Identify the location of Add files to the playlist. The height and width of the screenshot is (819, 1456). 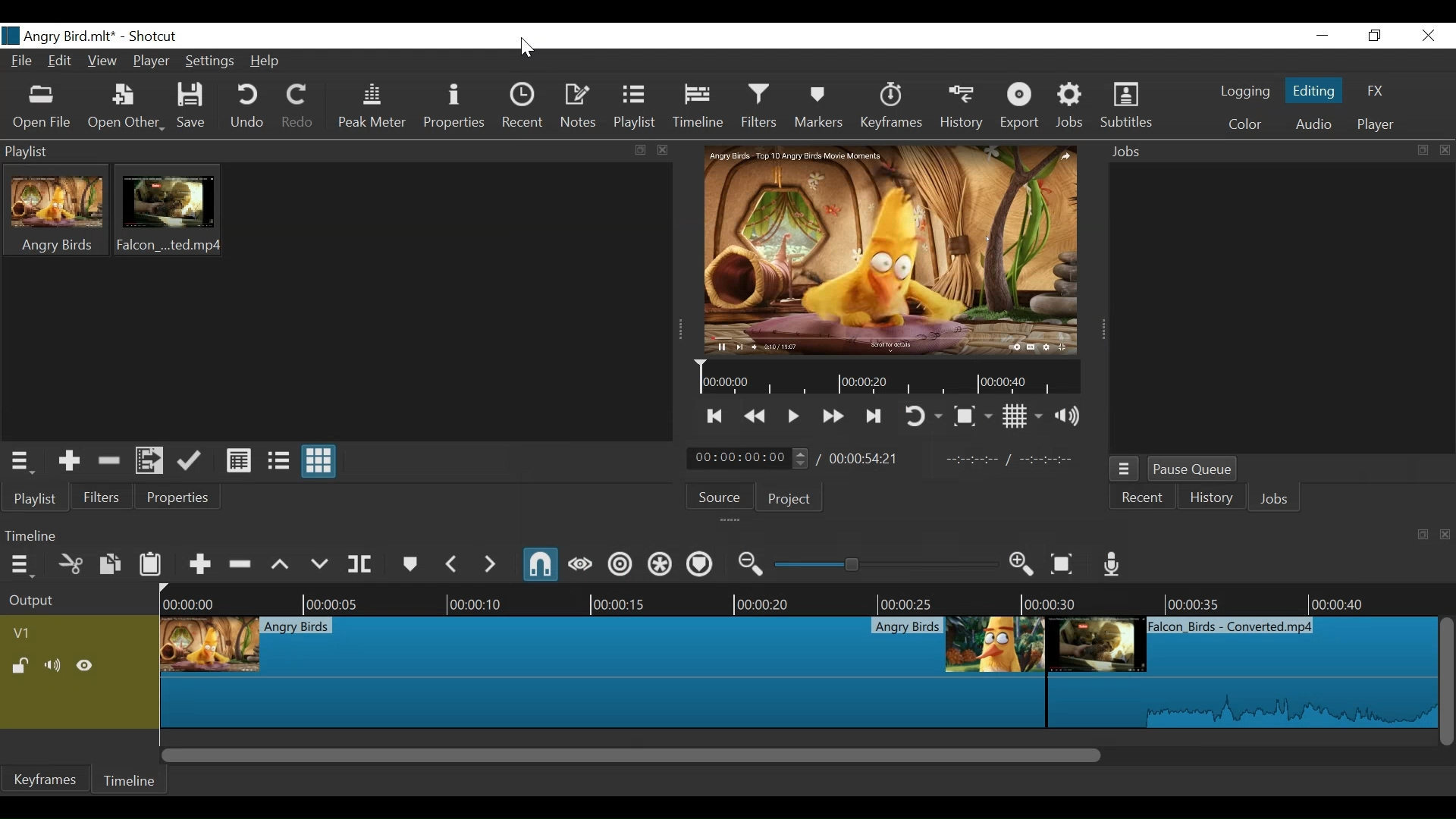
(149, 460).